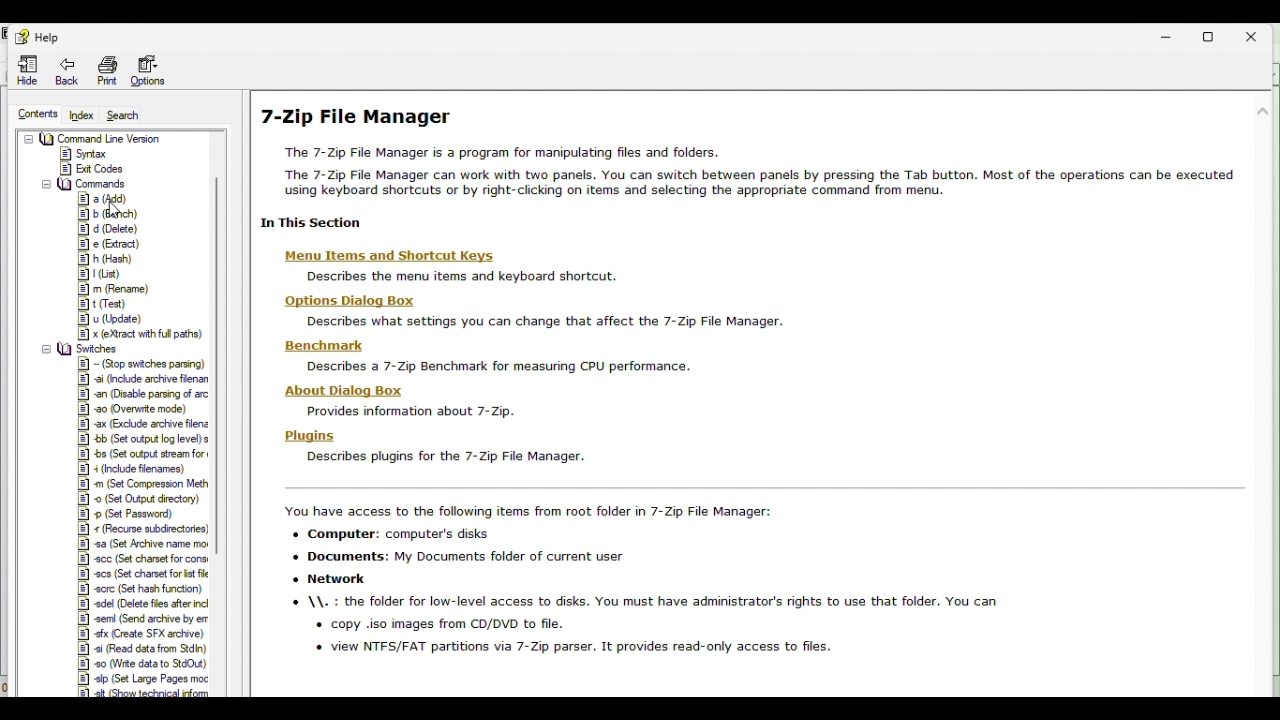  I want to click on syntax, so click(84, 154).